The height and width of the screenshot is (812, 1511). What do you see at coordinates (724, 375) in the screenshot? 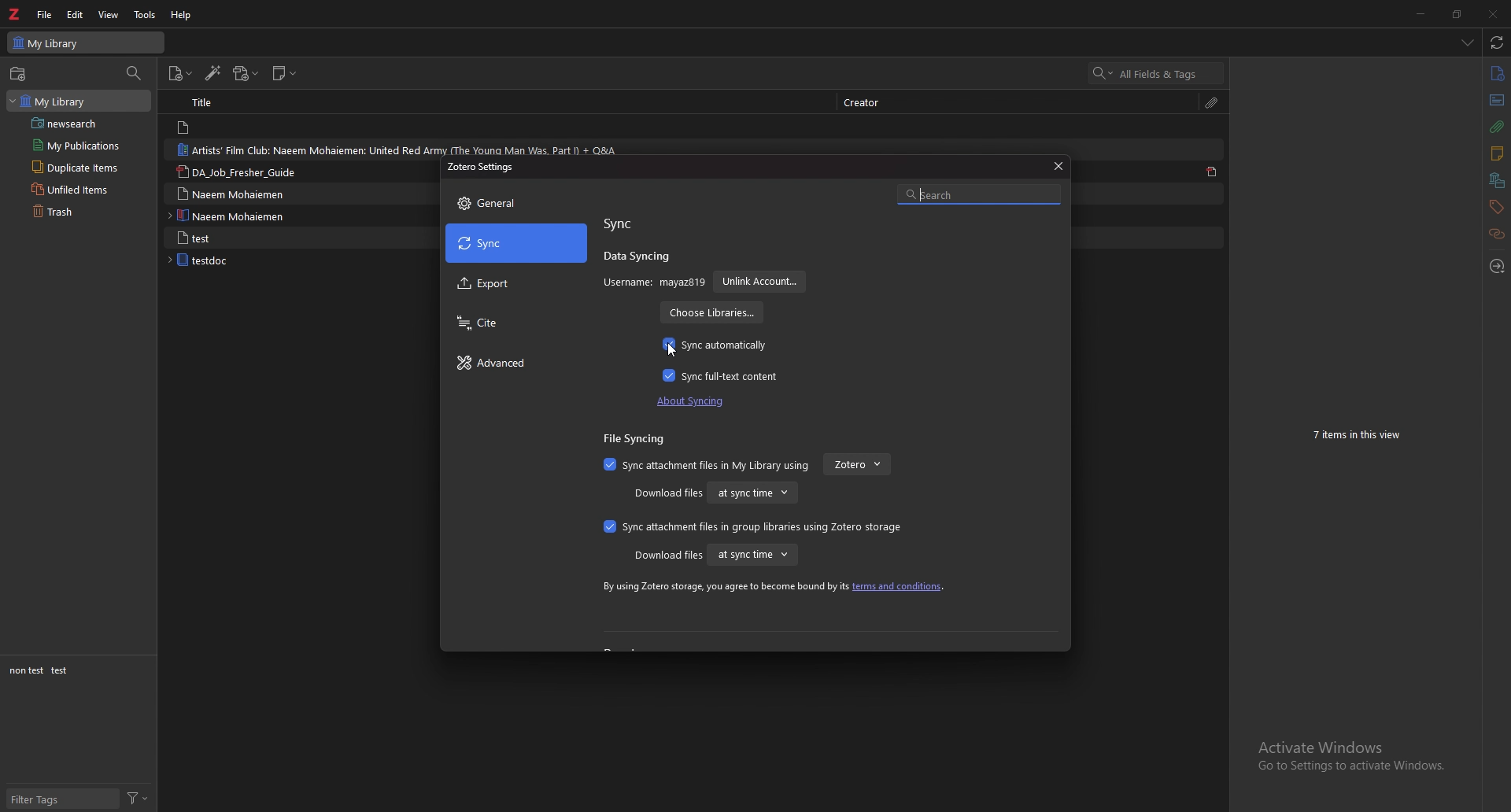
I see `sync full text content` at bounding box center [724, 375].